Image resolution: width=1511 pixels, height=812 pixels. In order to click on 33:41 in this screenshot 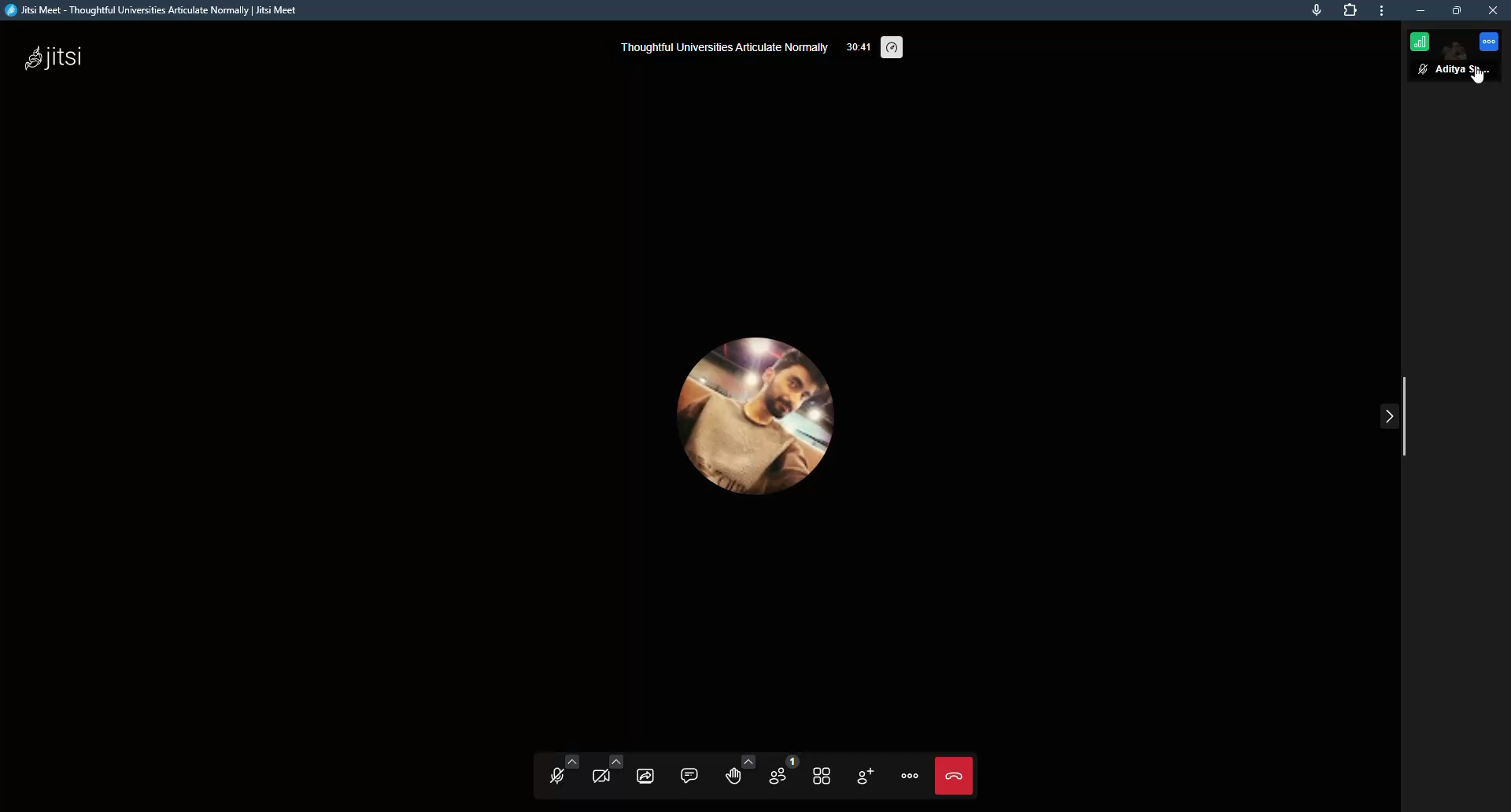, I will do `click(857, 45)`.